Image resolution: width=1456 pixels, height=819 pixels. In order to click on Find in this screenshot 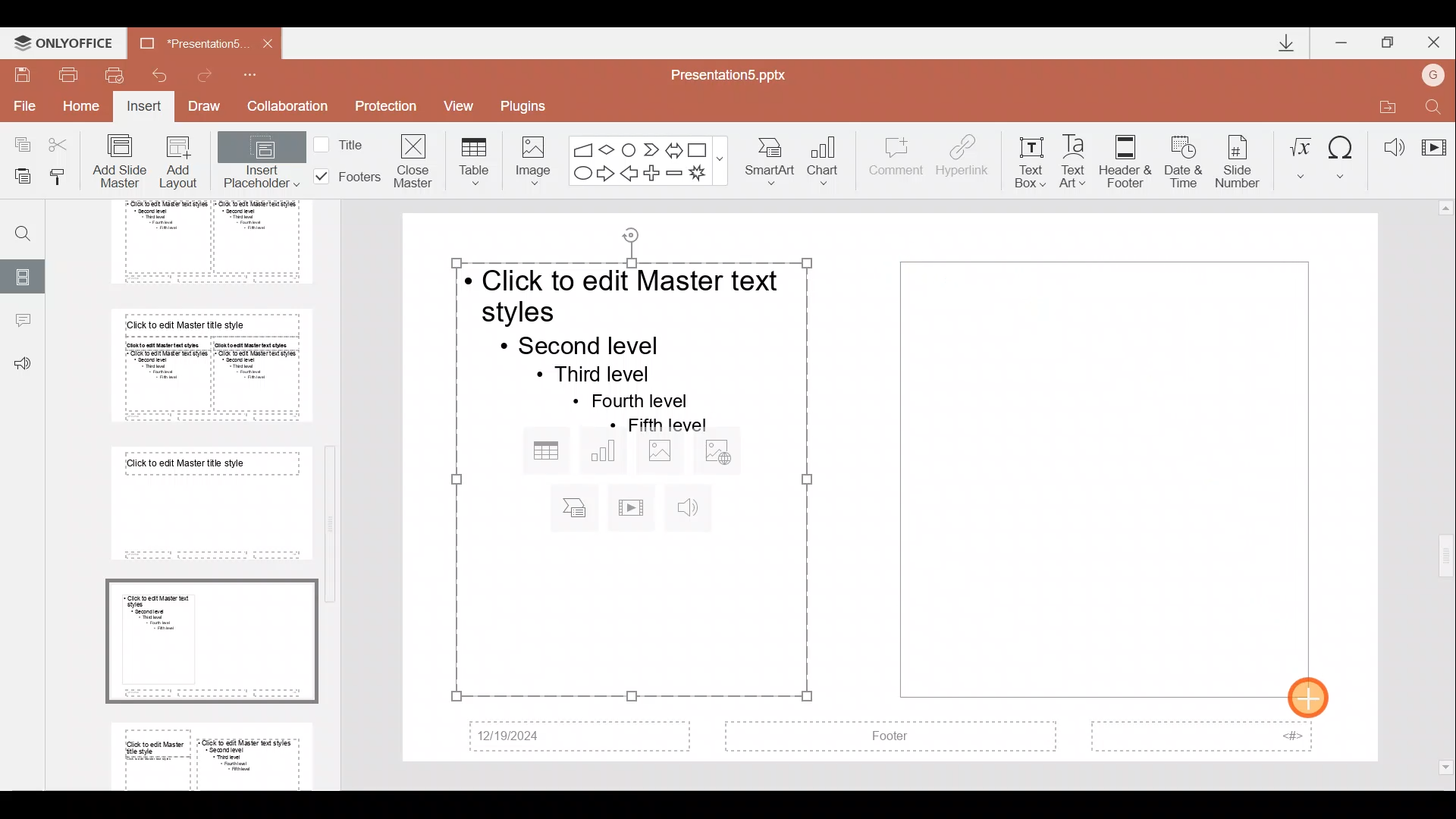, I will do `click(17, 227)`.